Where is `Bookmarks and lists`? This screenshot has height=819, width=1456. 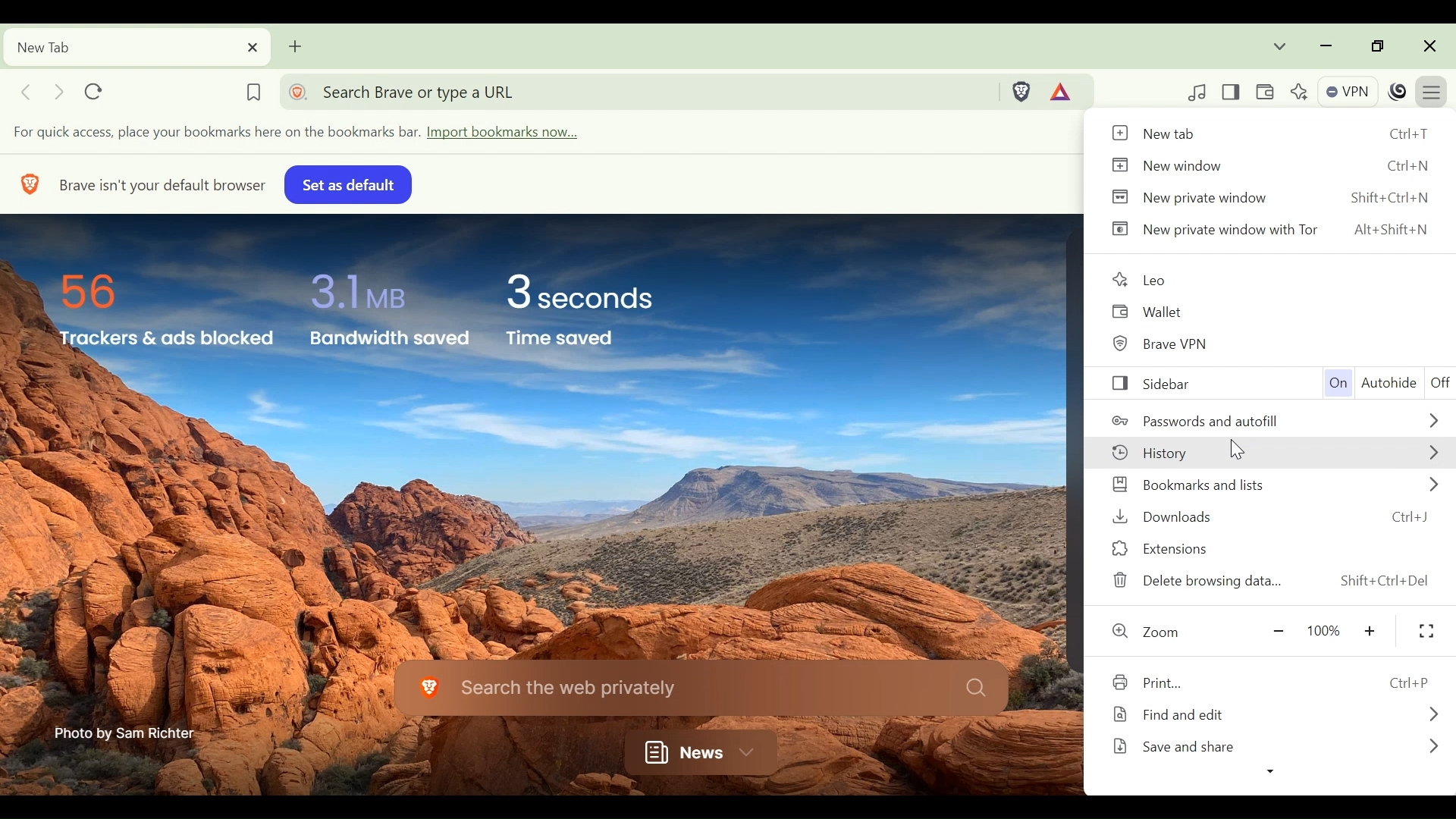
Bookmarks and lists is located at coordinates (1272, 484).